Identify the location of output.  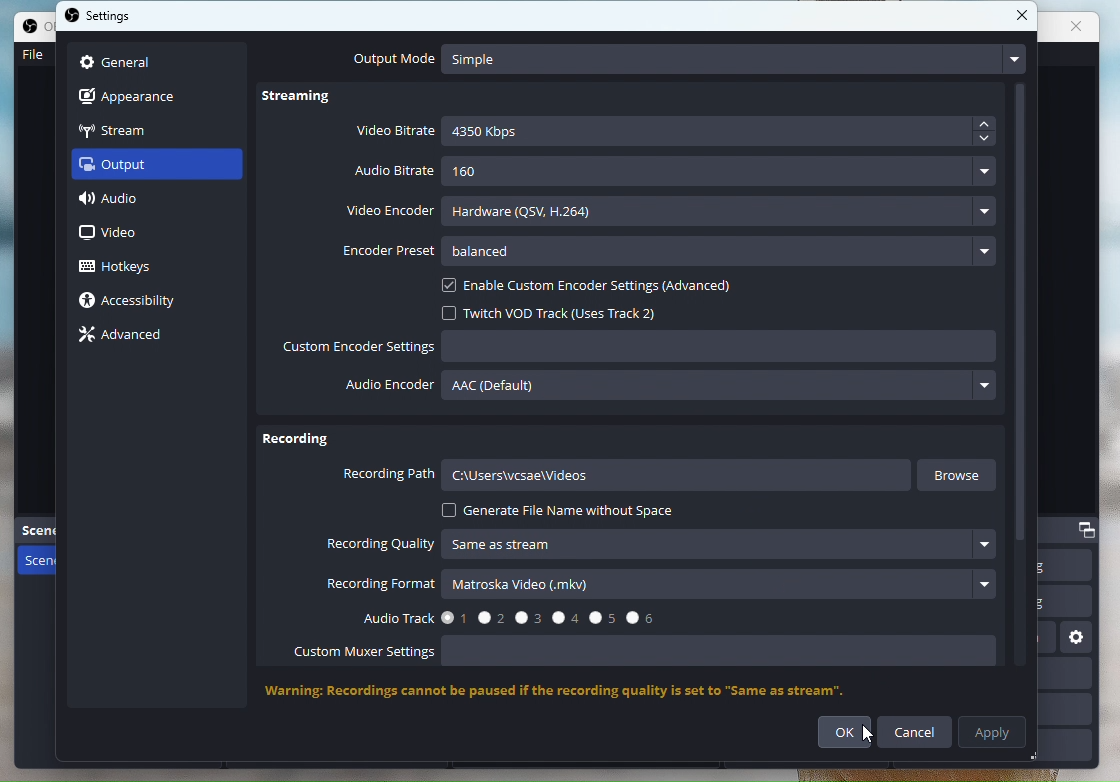
(131, 168).